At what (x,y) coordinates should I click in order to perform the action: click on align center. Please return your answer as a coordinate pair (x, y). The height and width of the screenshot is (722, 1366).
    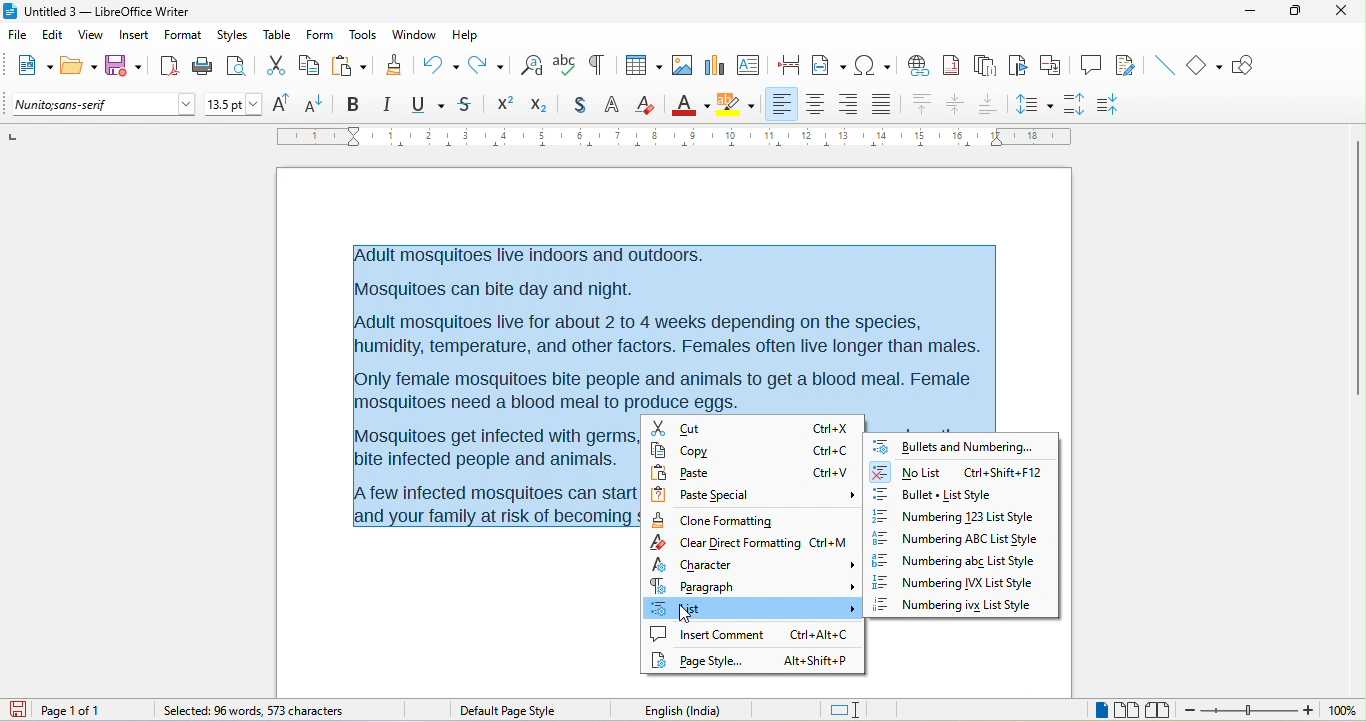
    Looking at the image, I should click on (956, 106).